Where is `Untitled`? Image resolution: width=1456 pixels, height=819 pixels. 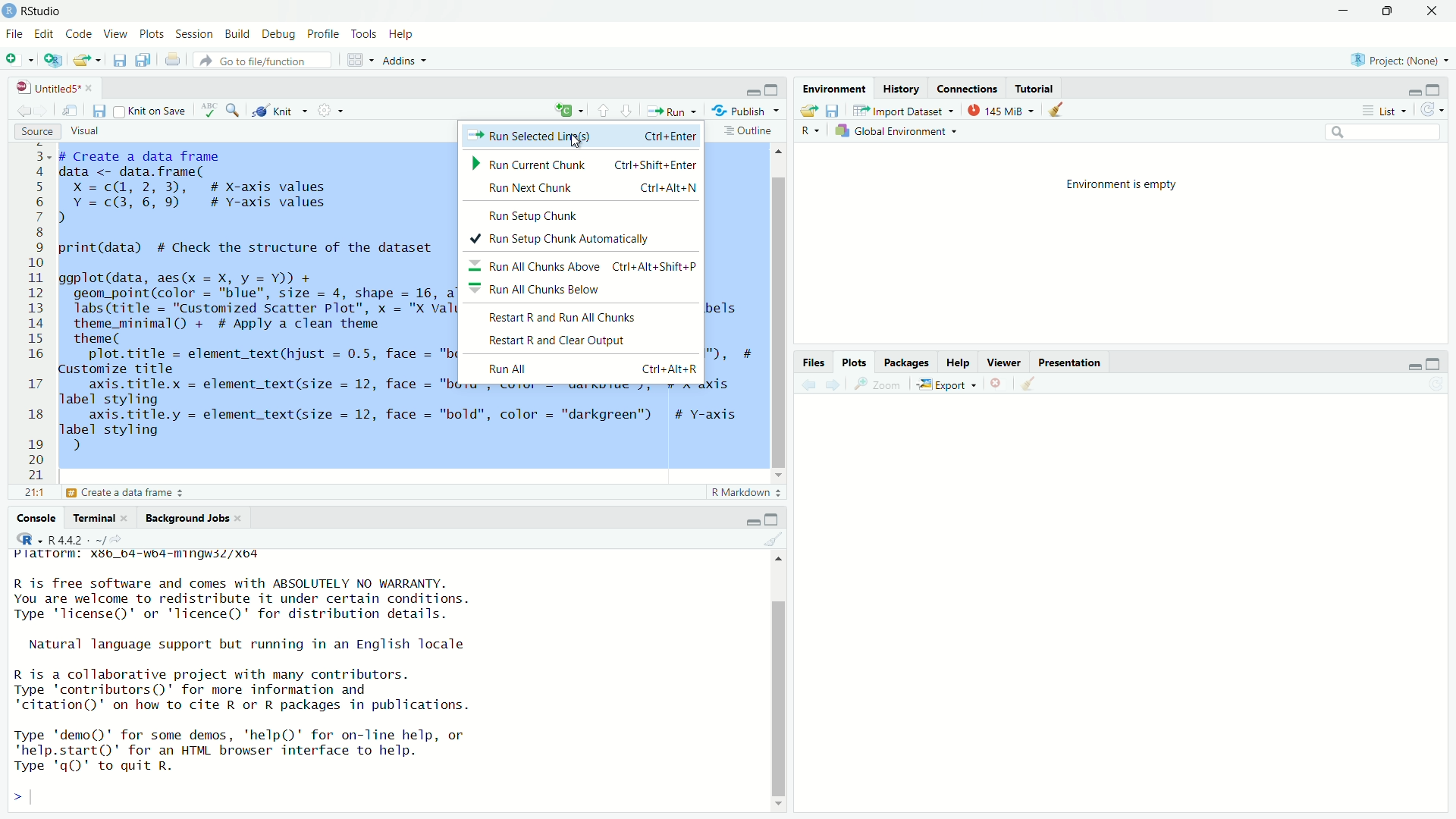
Untitled is located at coordinates (52, 89).